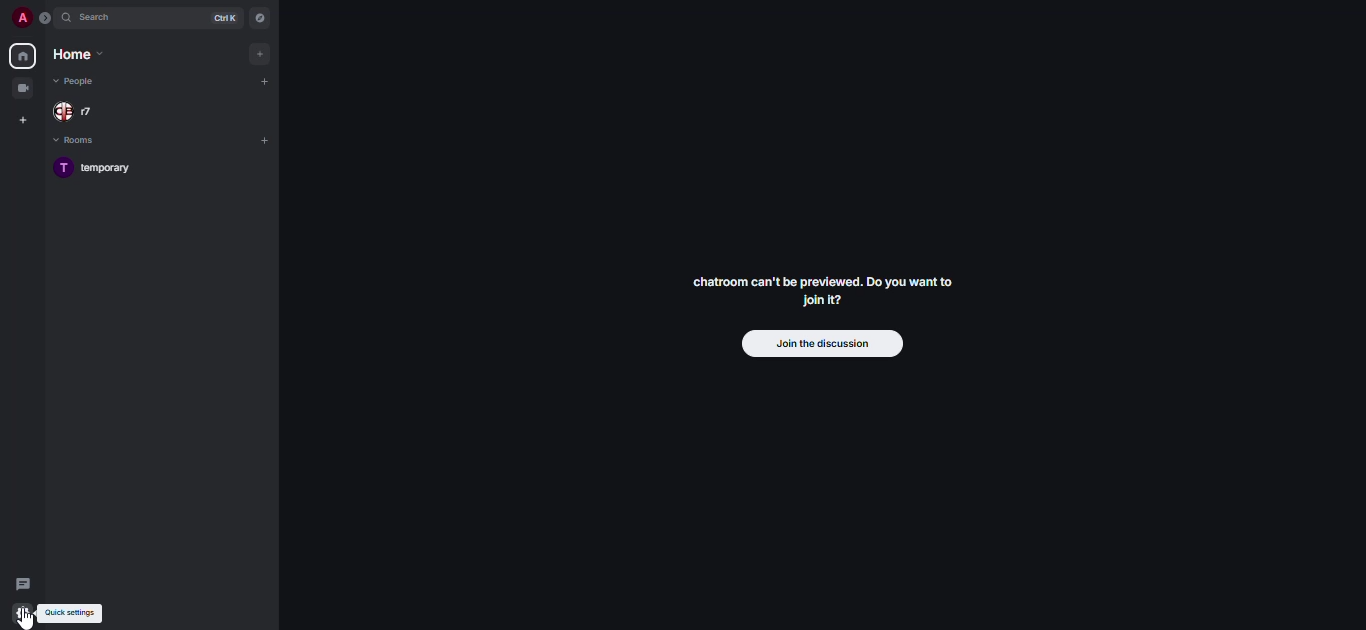 The image size is (1366, 630). I want to click on create space, so click(24, 121).